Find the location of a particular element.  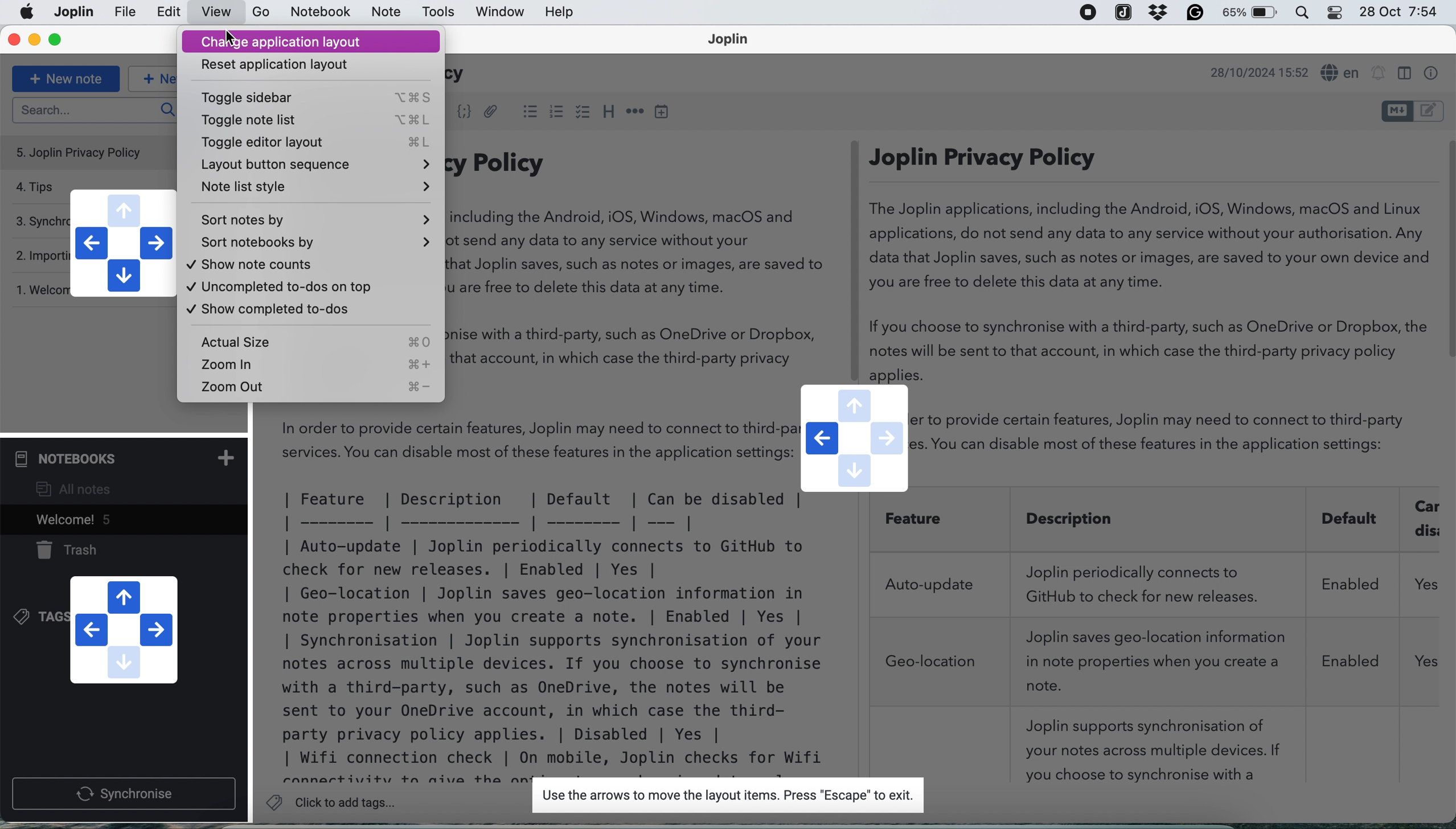

control center is located at coordinates (1338, 13).